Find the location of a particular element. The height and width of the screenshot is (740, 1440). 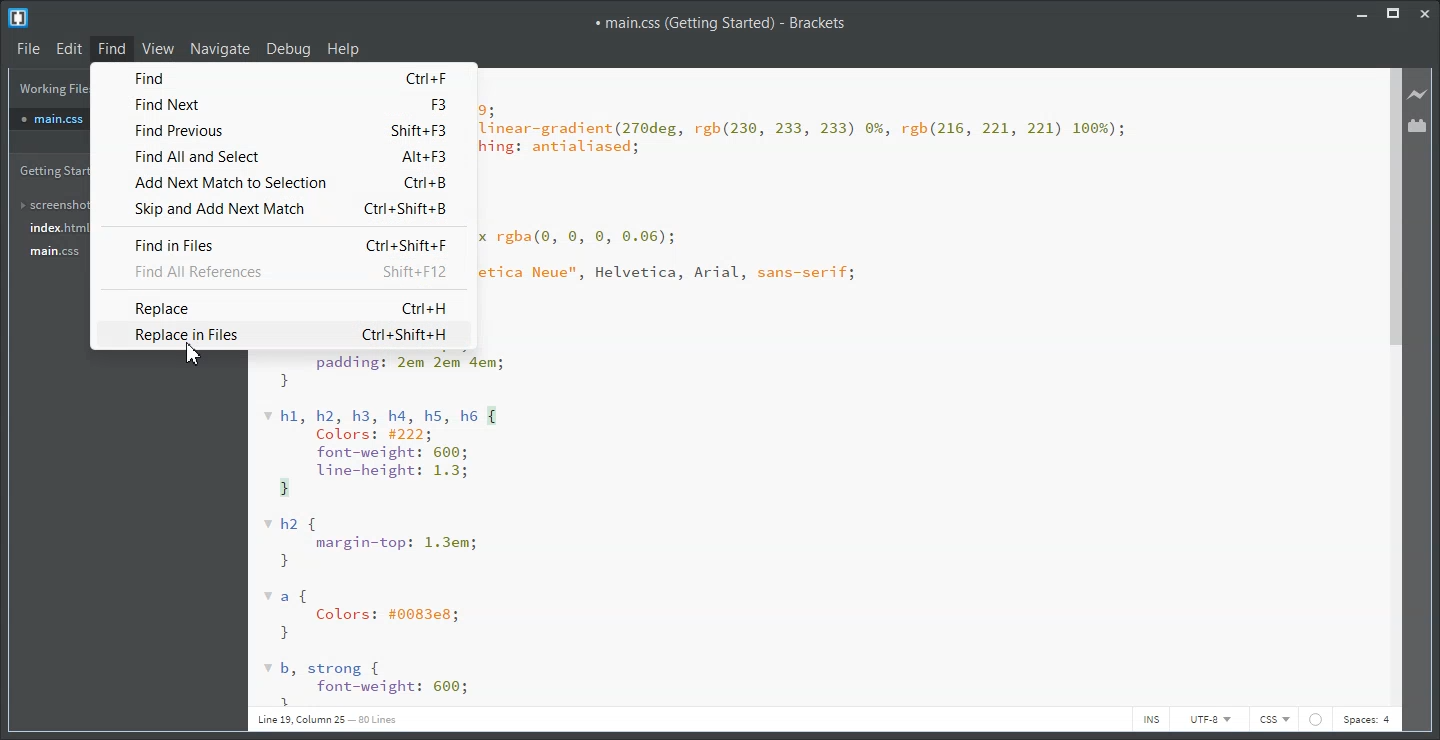

File is located at coordinates (27, 47).